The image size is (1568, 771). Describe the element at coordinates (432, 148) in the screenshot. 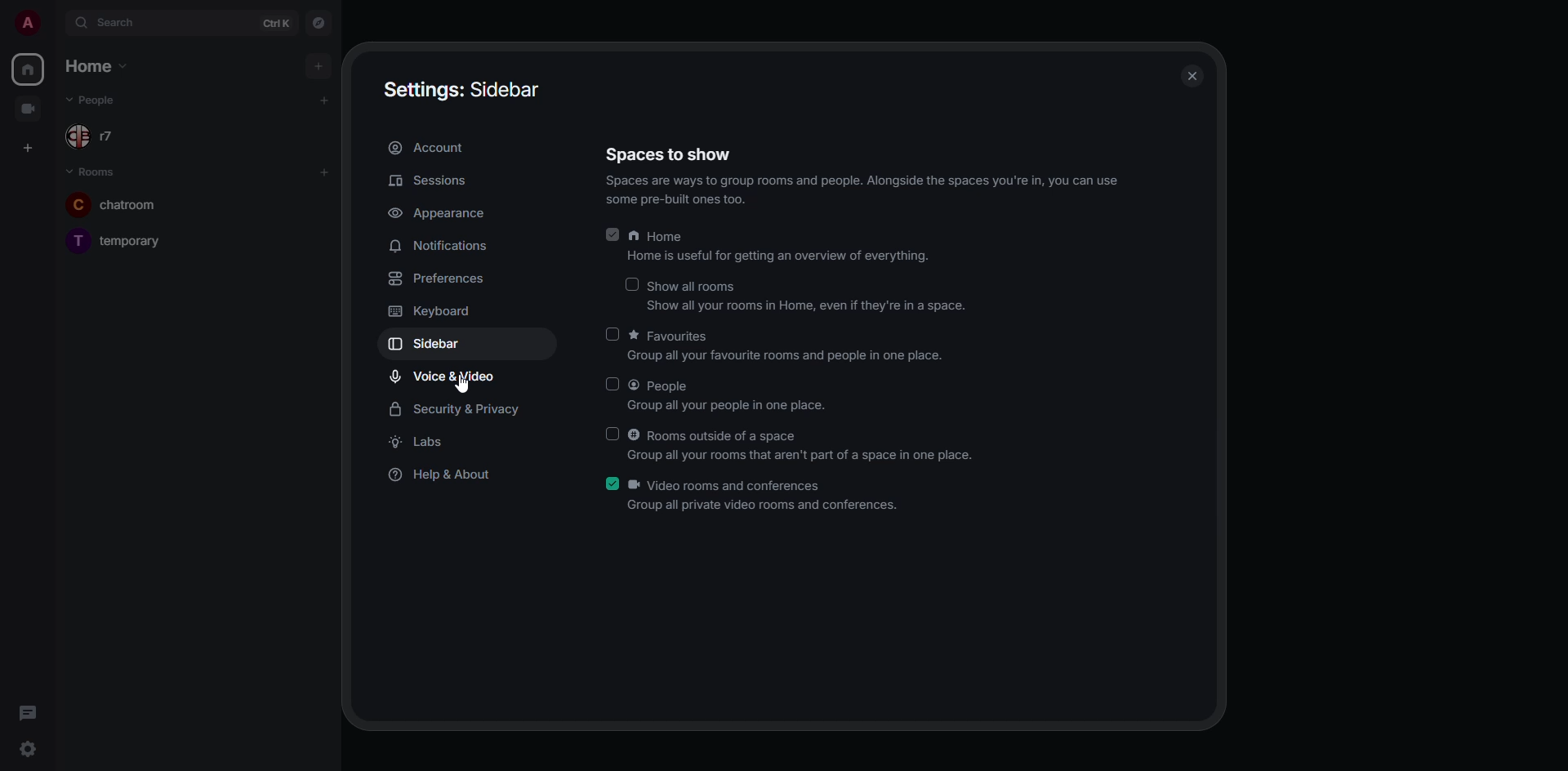

I see `account` at that location.